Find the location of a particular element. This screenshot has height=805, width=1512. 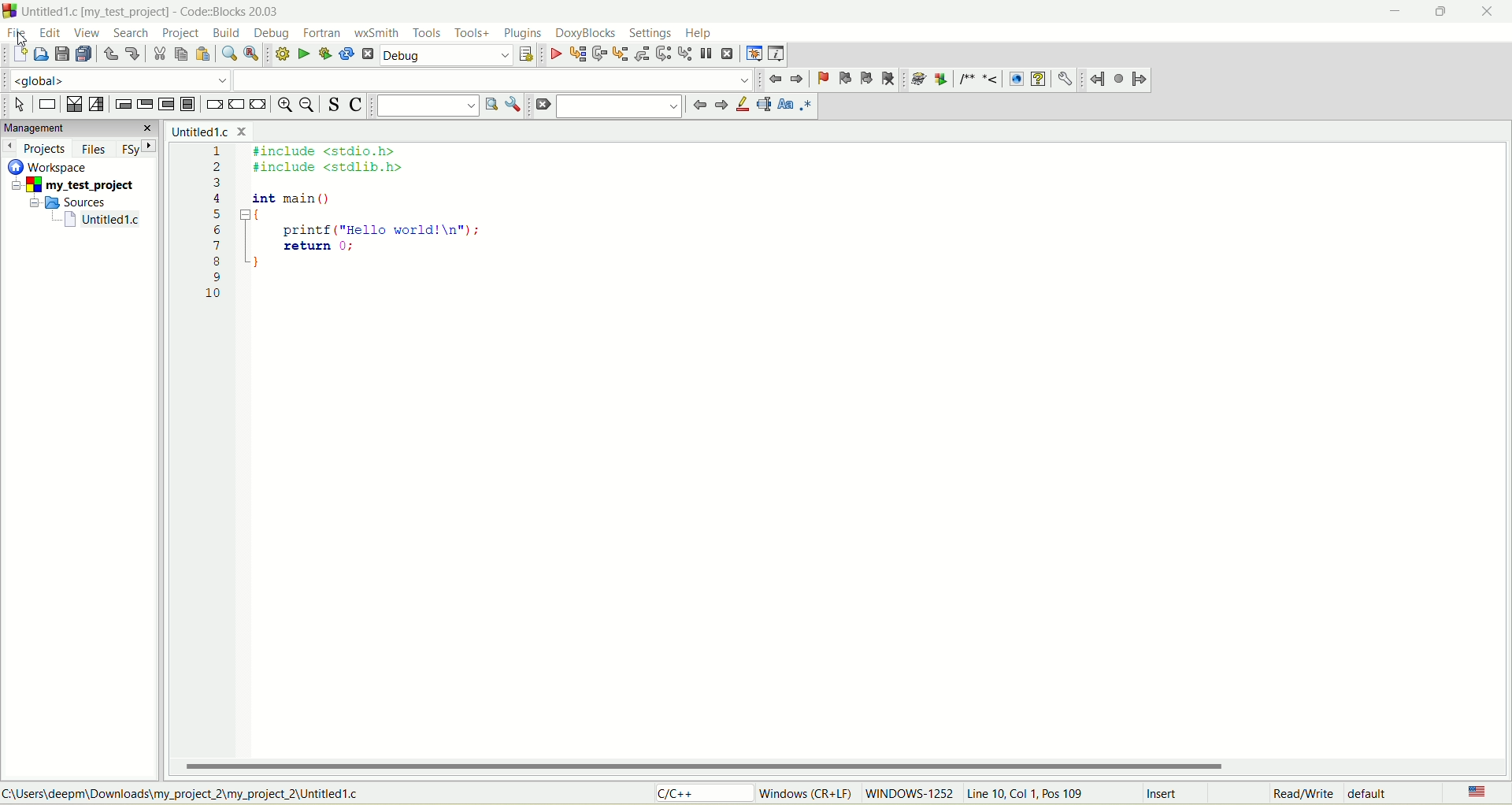

title is located at coordinates (208, 131).